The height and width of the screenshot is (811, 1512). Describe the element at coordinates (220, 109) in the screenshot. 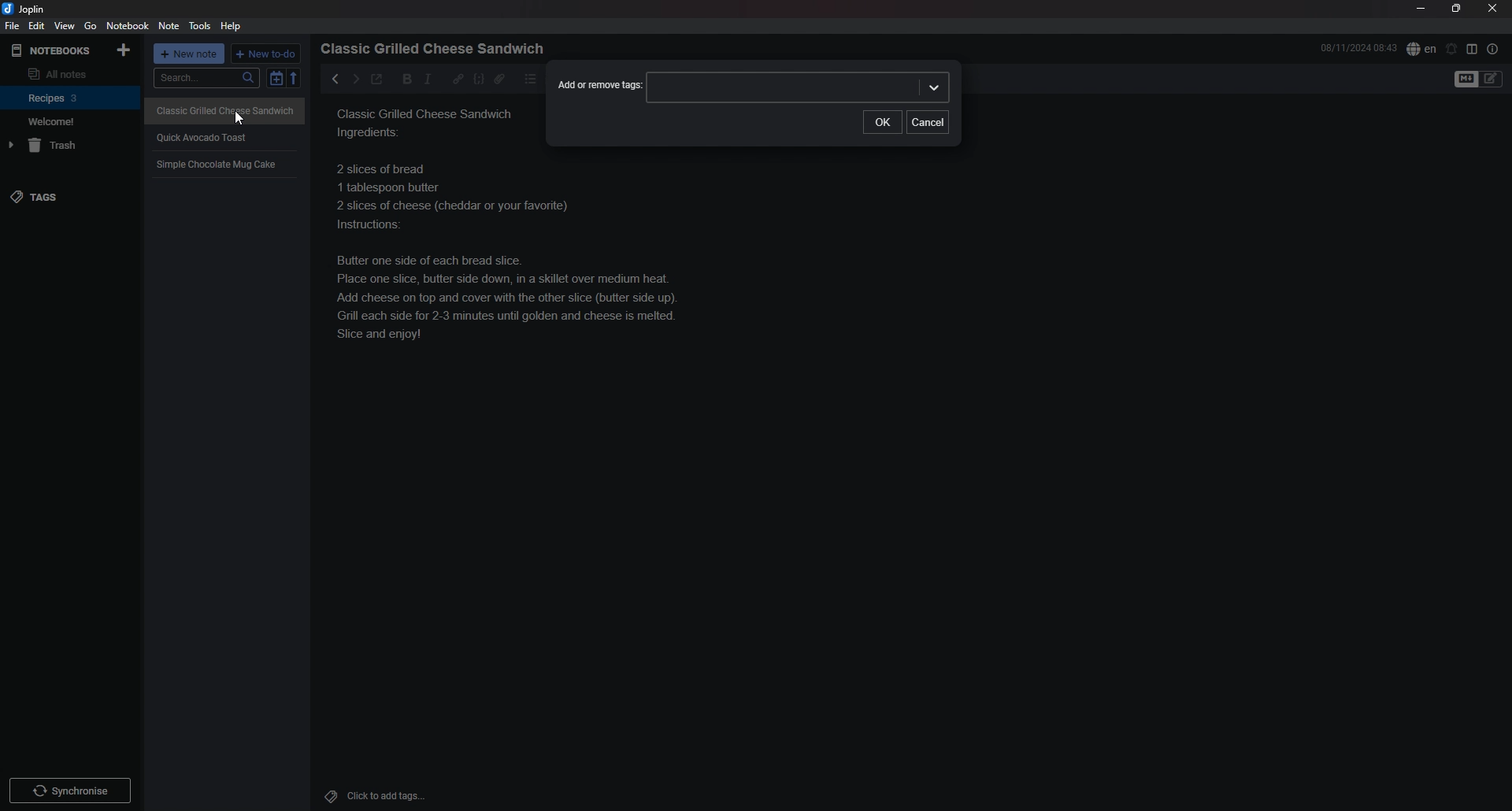

I see `recipe` at that location.